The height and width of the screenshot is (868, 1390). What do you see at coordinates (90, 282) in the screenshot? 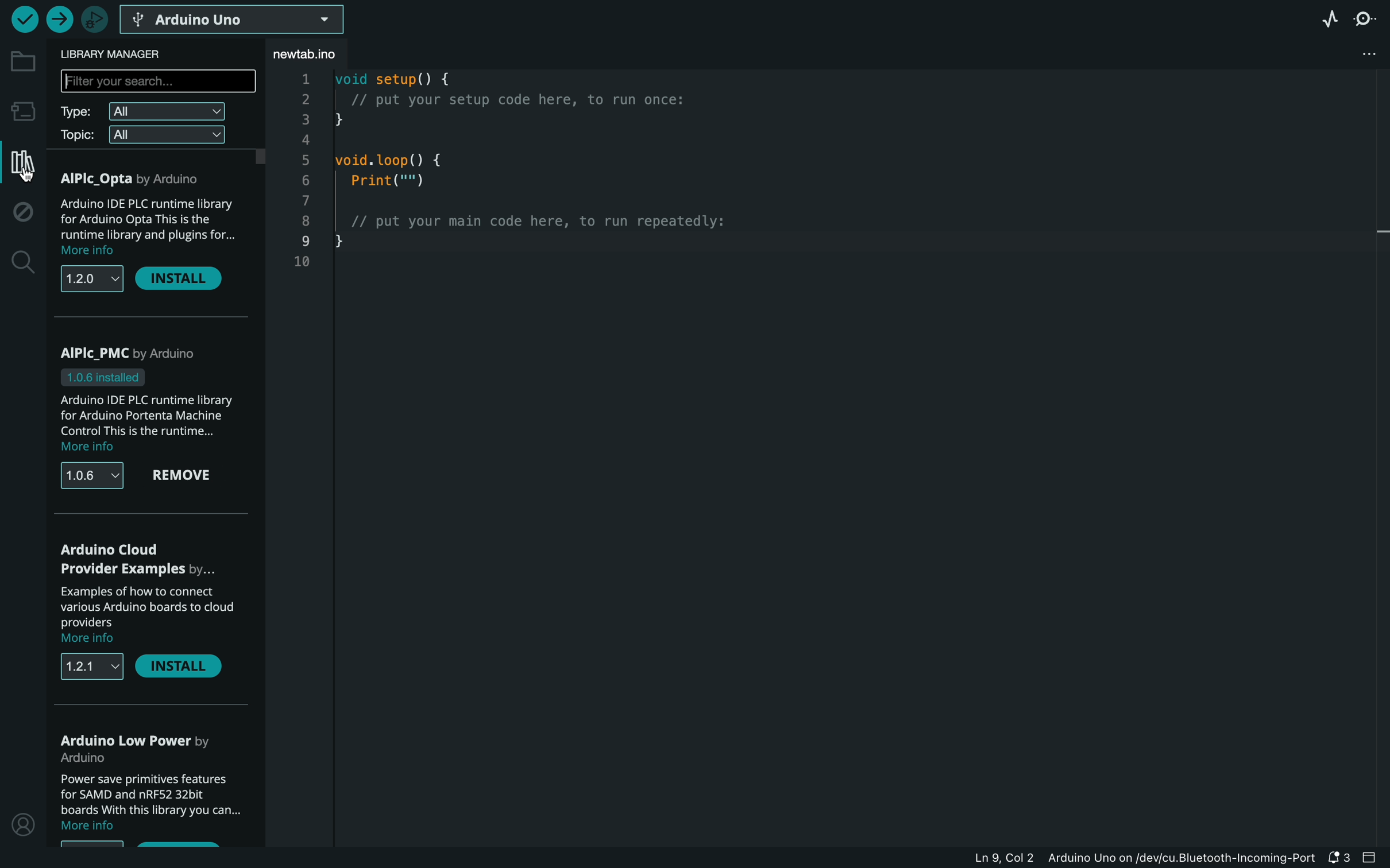
I see `versions` at bounding box center [90, 282].